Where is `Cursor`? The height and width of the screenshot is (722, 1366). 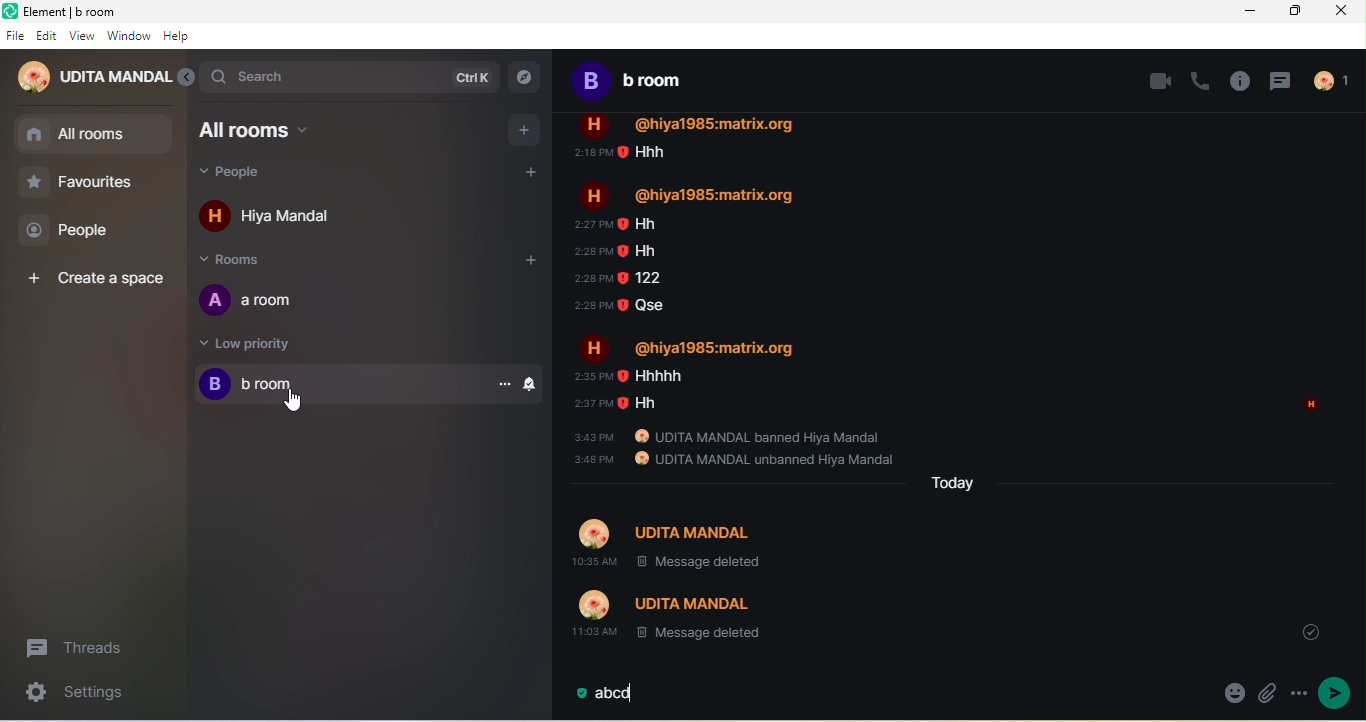
Cursor is located at coordinates (292, 400).